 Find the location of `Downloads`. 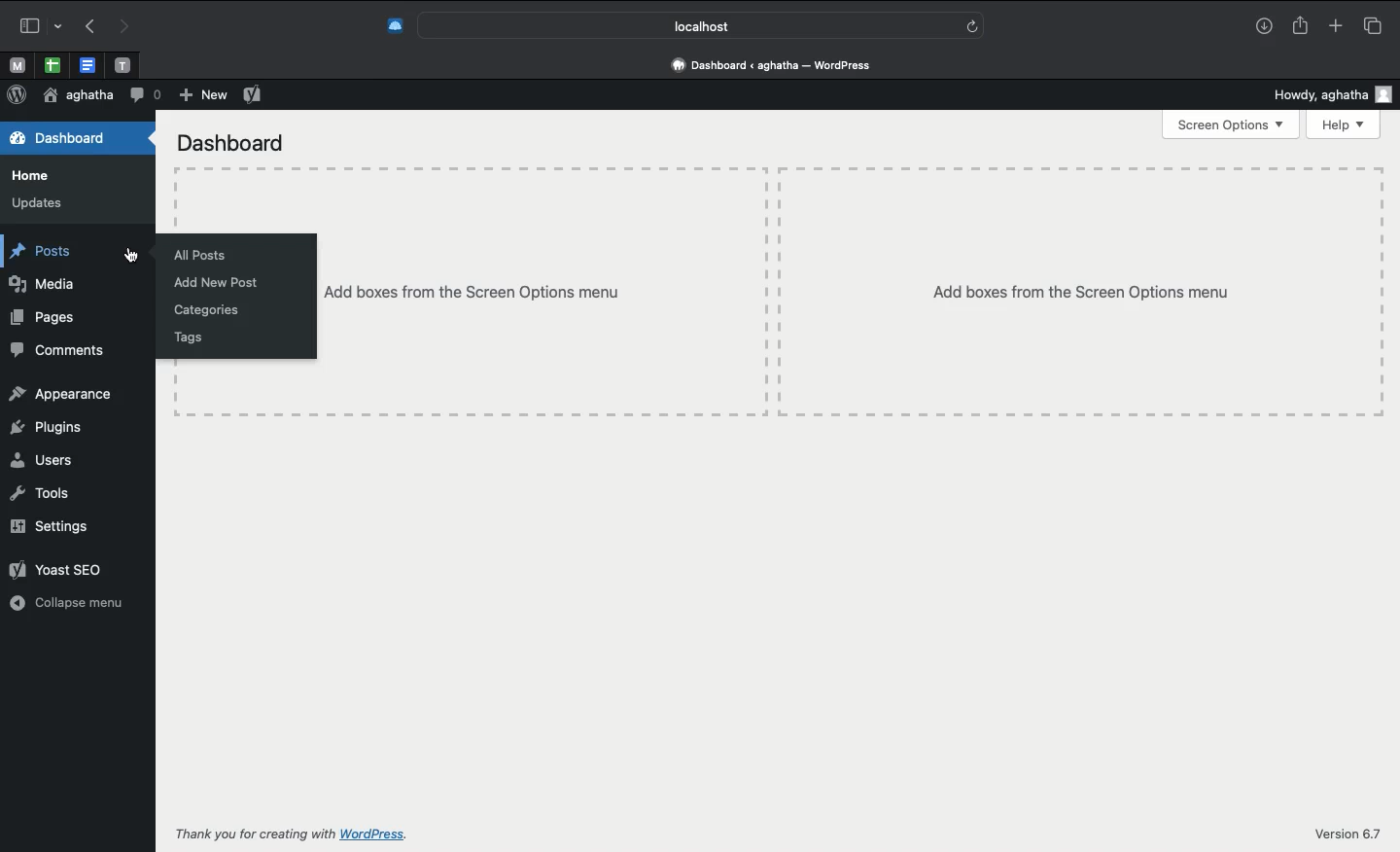

Downloads is located at coordinates (1264, 27).